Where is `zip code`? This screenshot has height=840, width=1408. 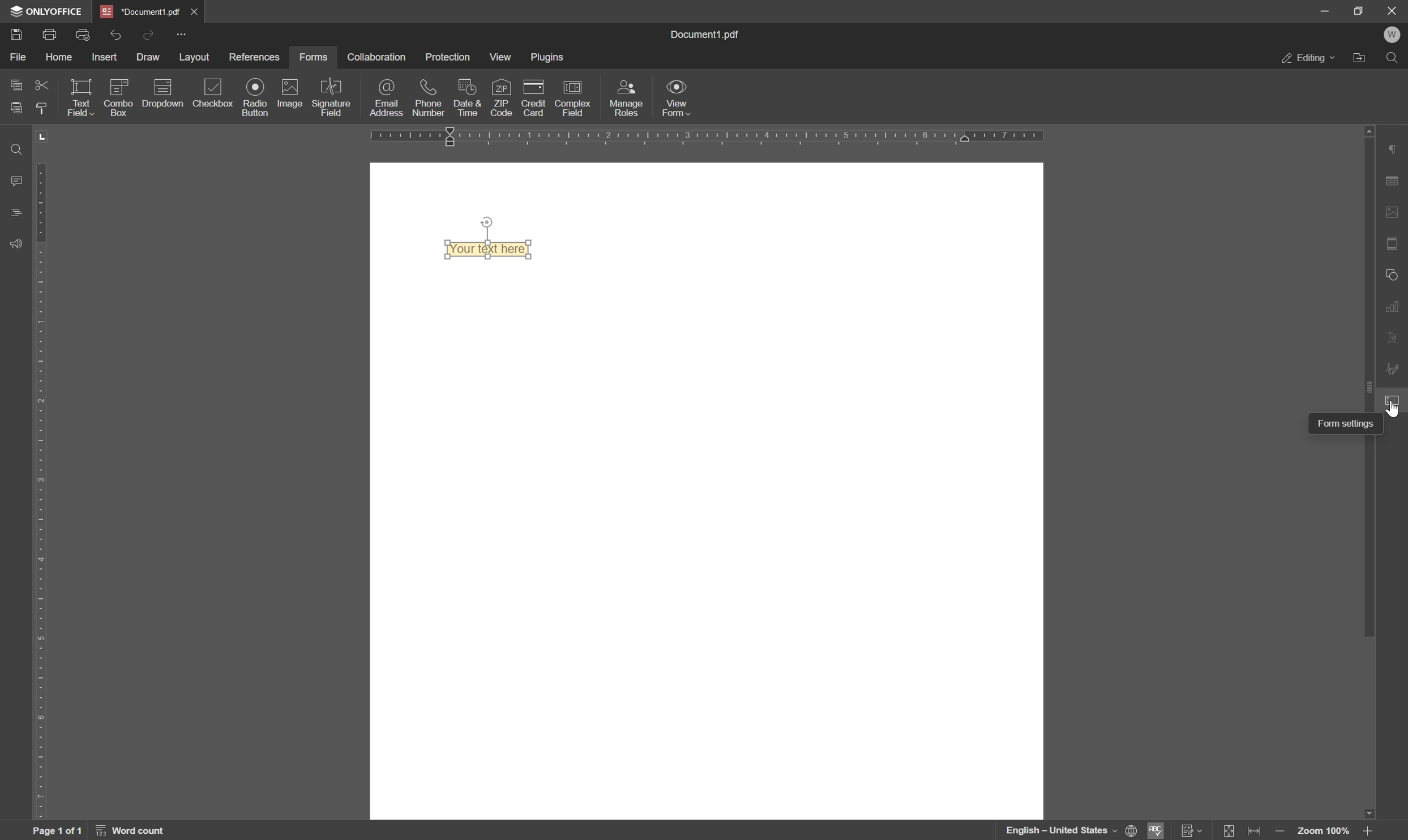 zip code is located at coordinates (502, 98).